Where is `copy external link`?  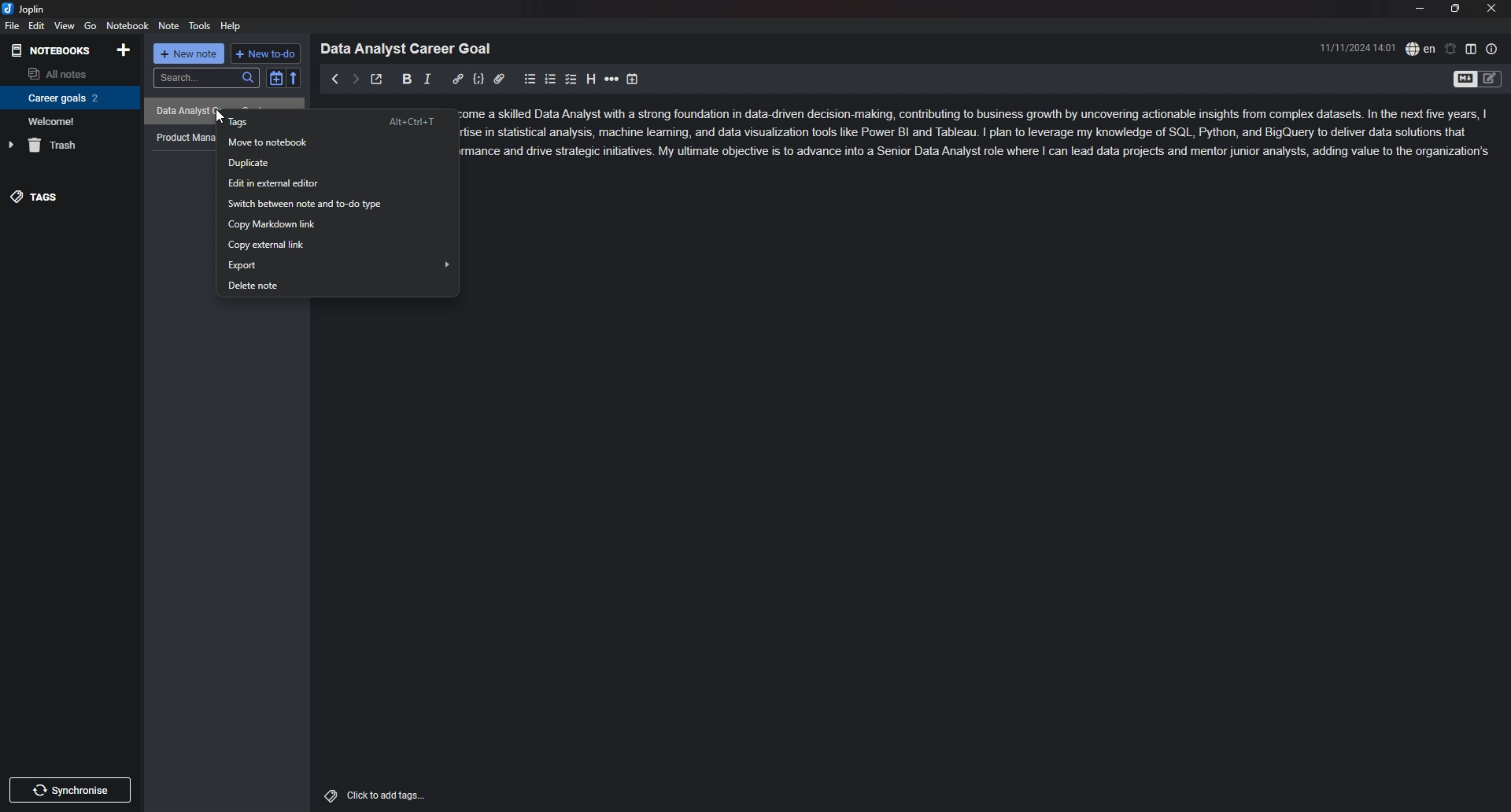 copy external link is located at coordinates (335, 245).